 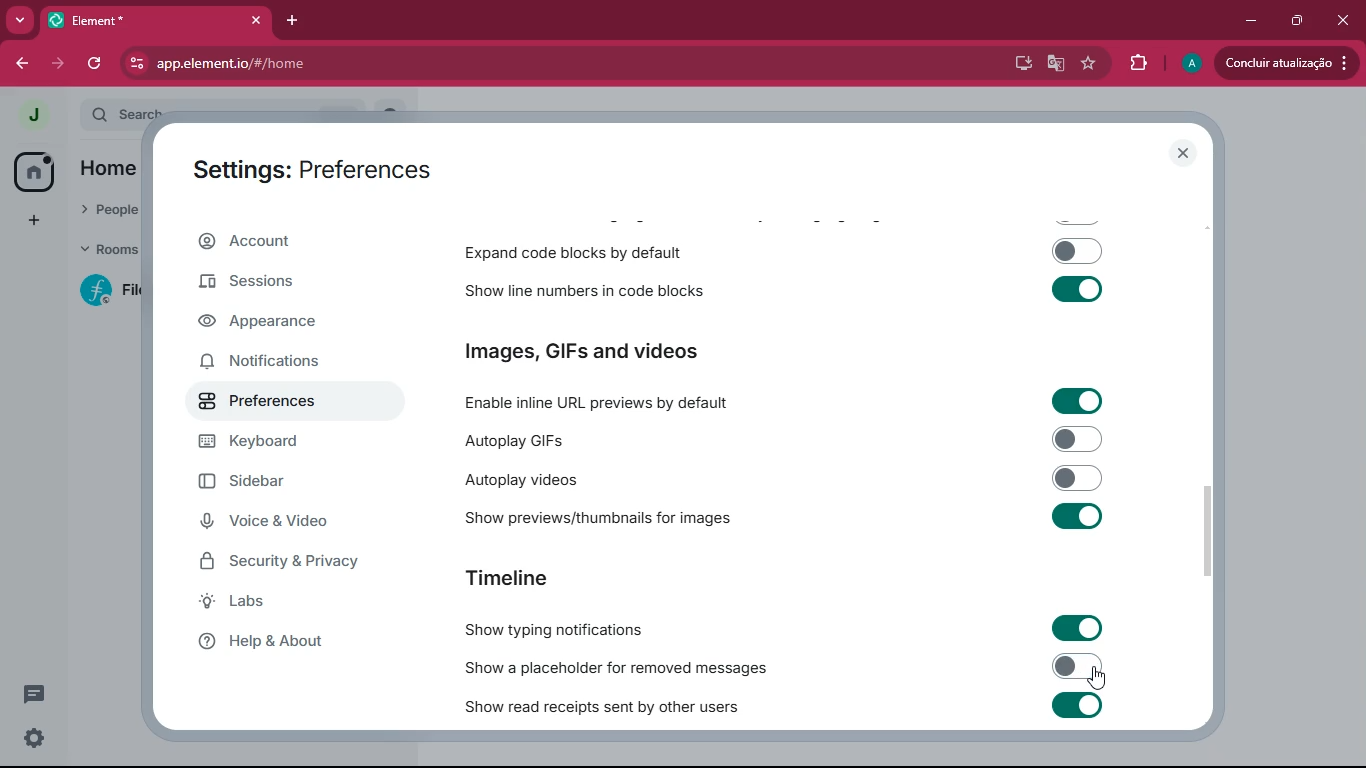 I want to click on autoplay GIFs, so click(x=622, y=442).